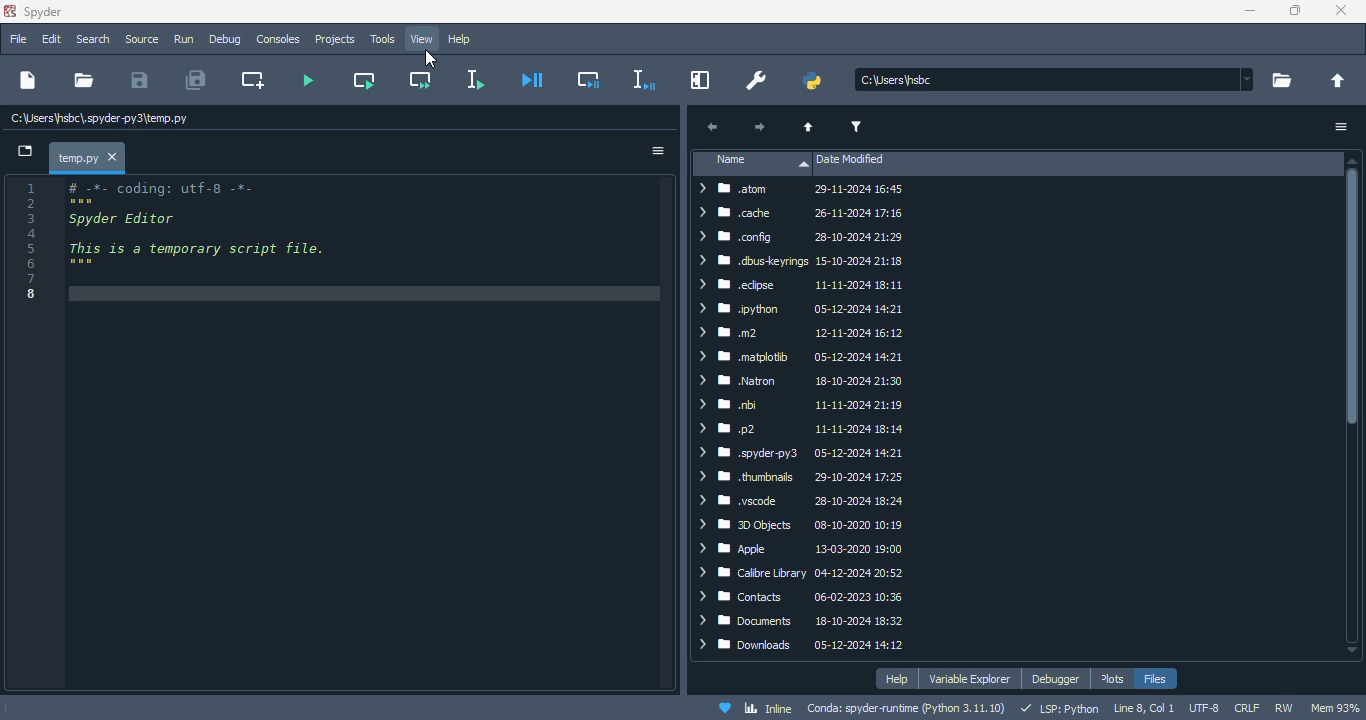 Image resolution: width=1366 pixels, height=720 pixels. What do you see at coordinates (804, 453) in the screenshot?
I see `.spyder-py3` at bounding box center [804, 453].